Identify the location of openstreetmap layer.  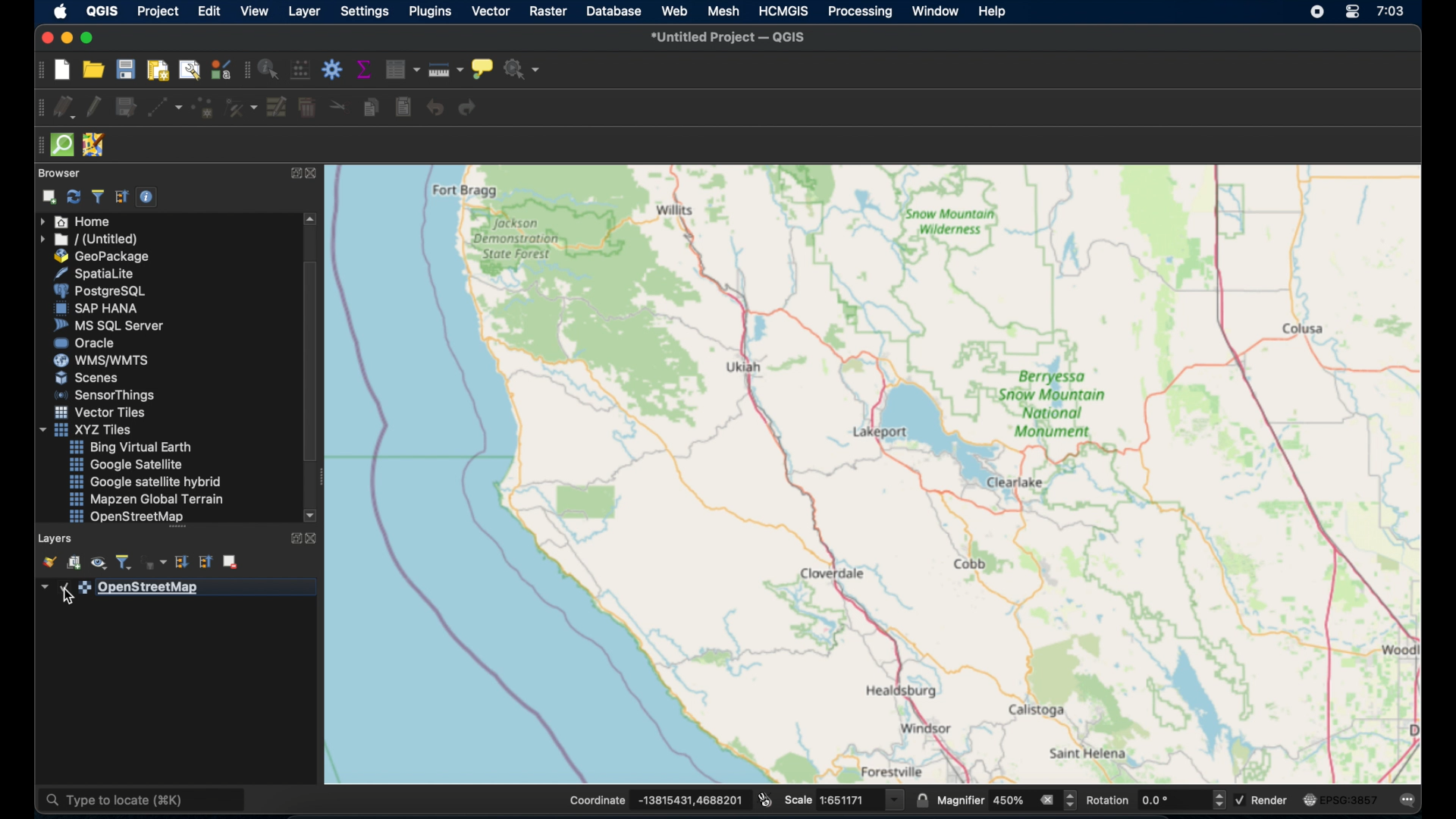
(177, 591).